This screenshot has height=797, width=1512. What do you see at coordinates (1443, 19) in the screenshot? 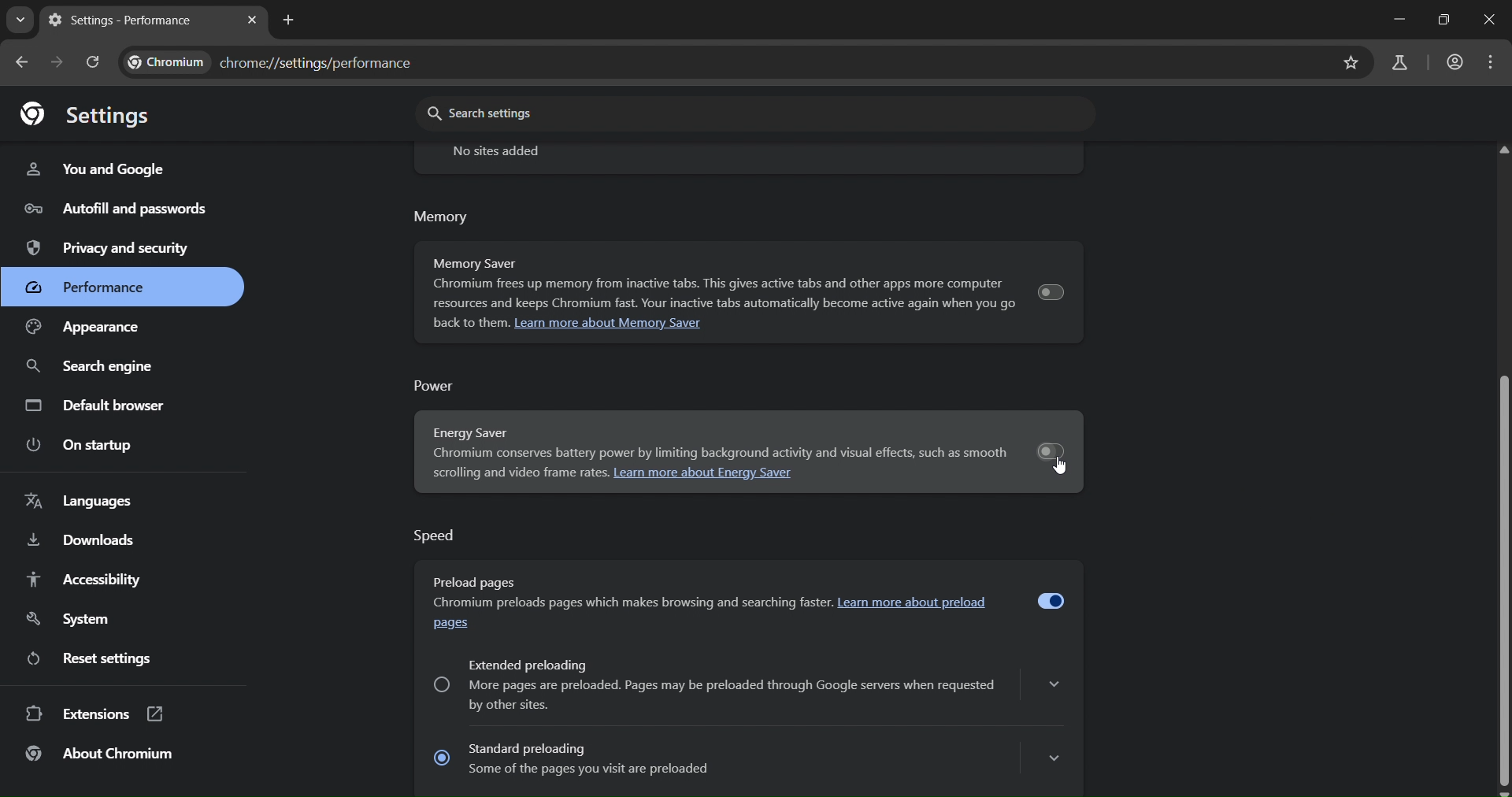
I see `restore down` at bounding box center [1443, 19].